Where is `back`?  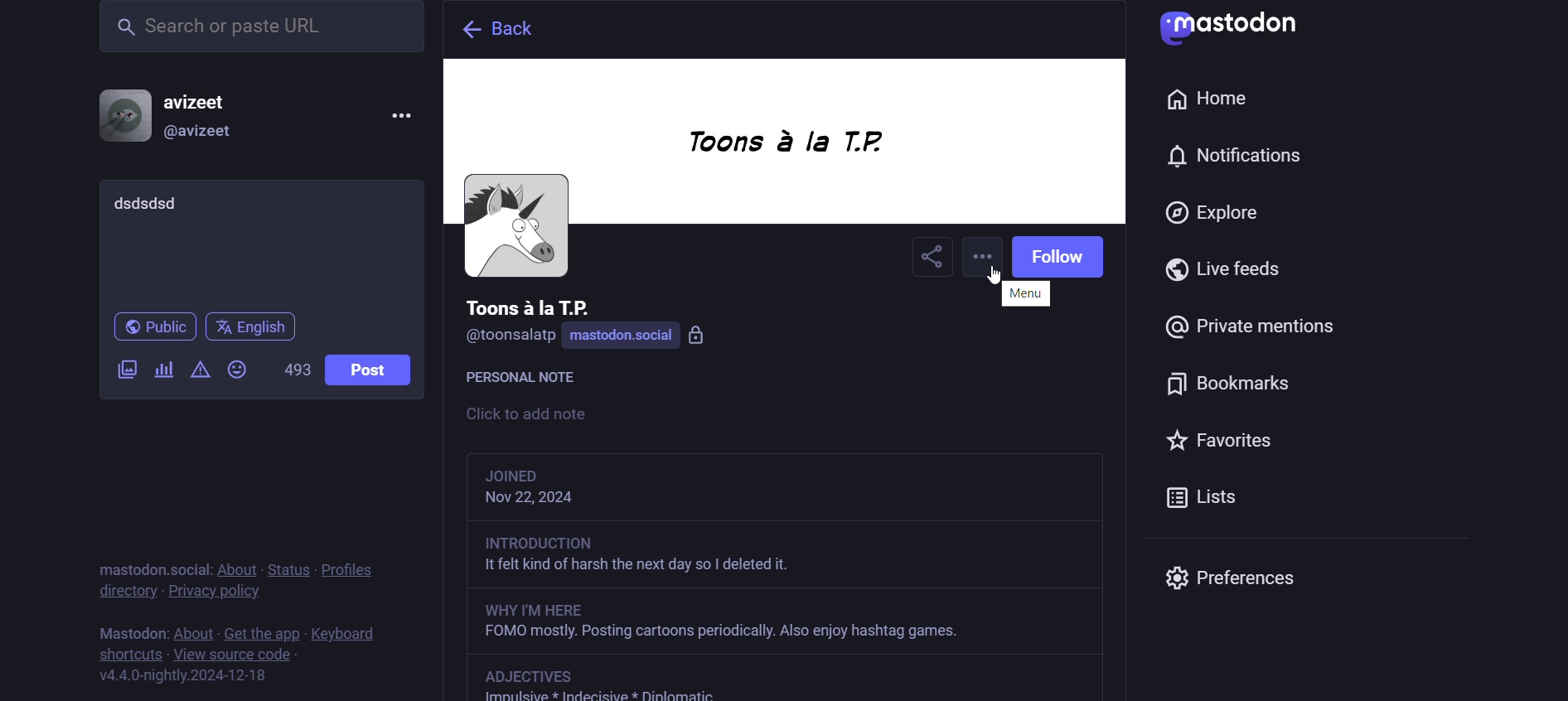 back is located at coordinates (492, 30).